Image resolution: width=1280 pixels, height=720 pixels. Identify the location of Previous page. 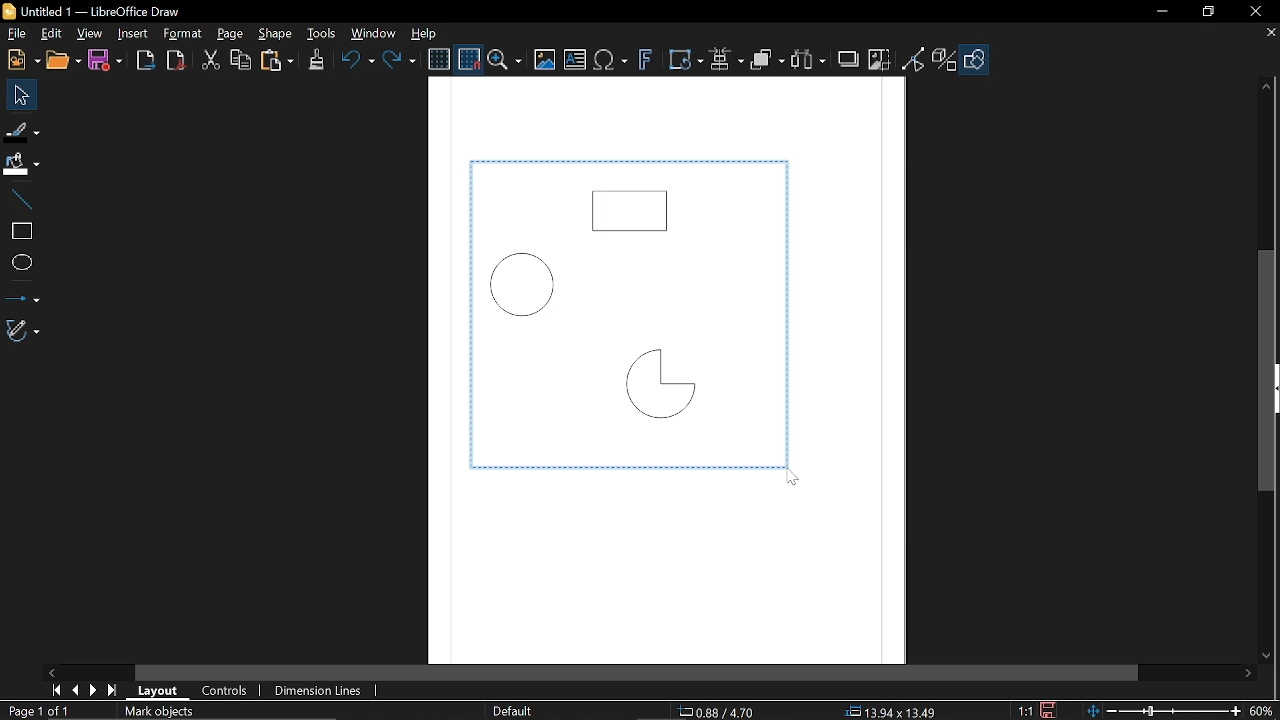
(72, 690).